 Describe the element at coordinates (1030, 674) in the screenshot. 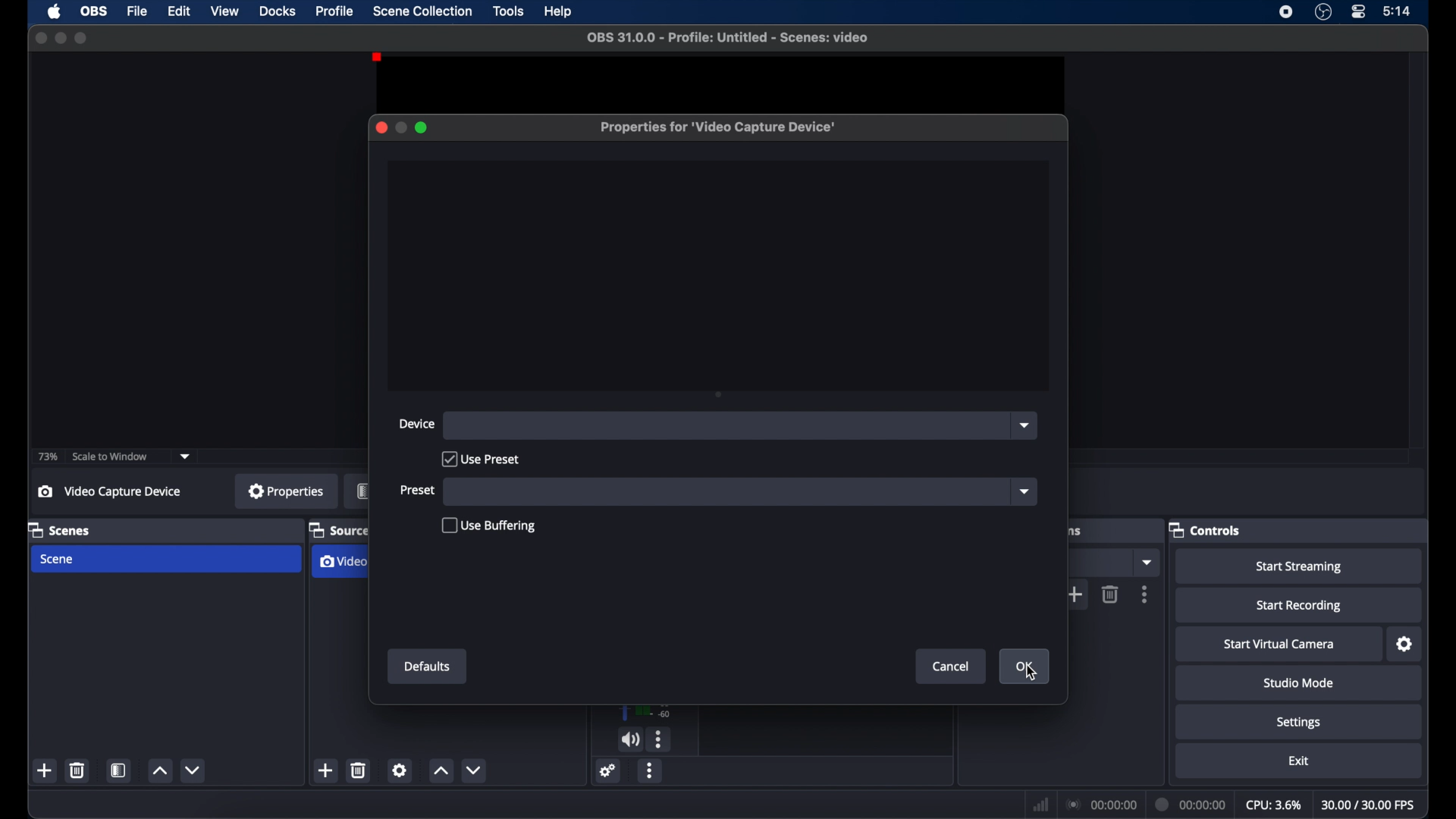

I see `Cursor` at that location.